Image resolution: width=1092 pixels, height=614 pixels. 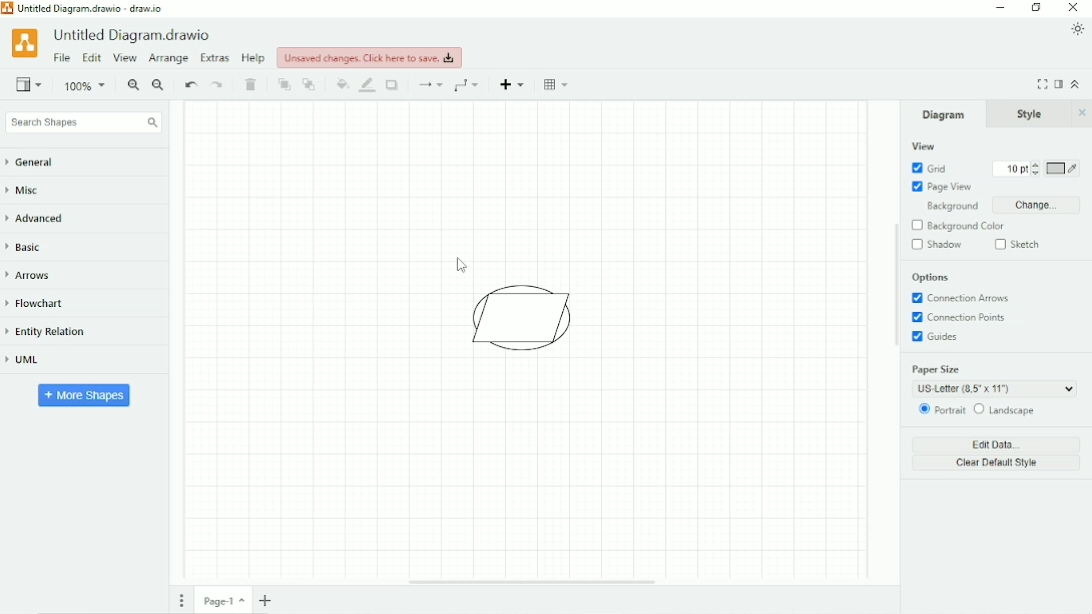 What do you see at coordinates (527, 318) in the screenshot?
I see `Shapes` at bounding box center [527, 318].